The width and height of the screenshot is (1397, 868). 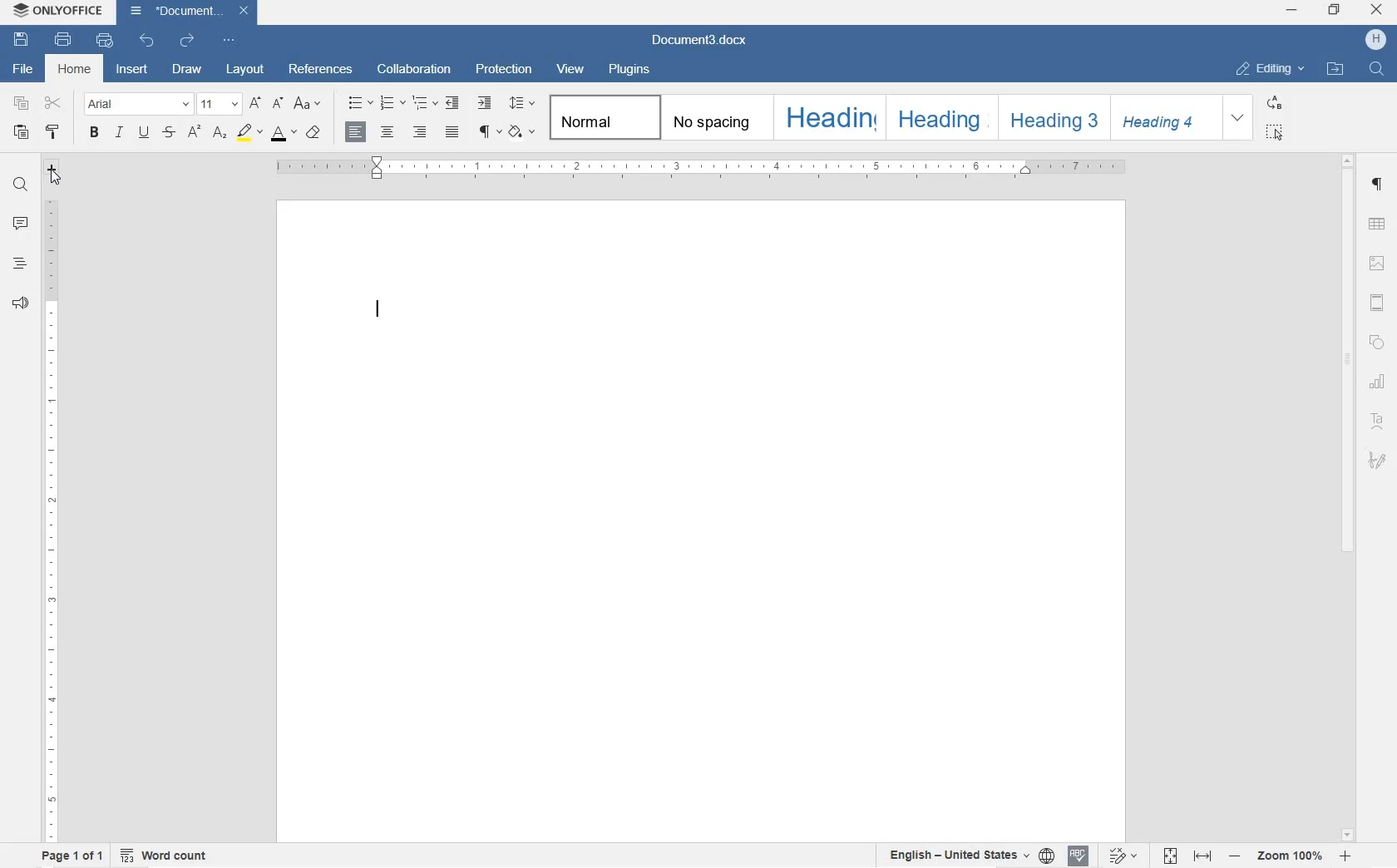 What do you see at coordinates (95, 134) in the screenshot?
I see `BOLD` at bounding box center [95, 134].